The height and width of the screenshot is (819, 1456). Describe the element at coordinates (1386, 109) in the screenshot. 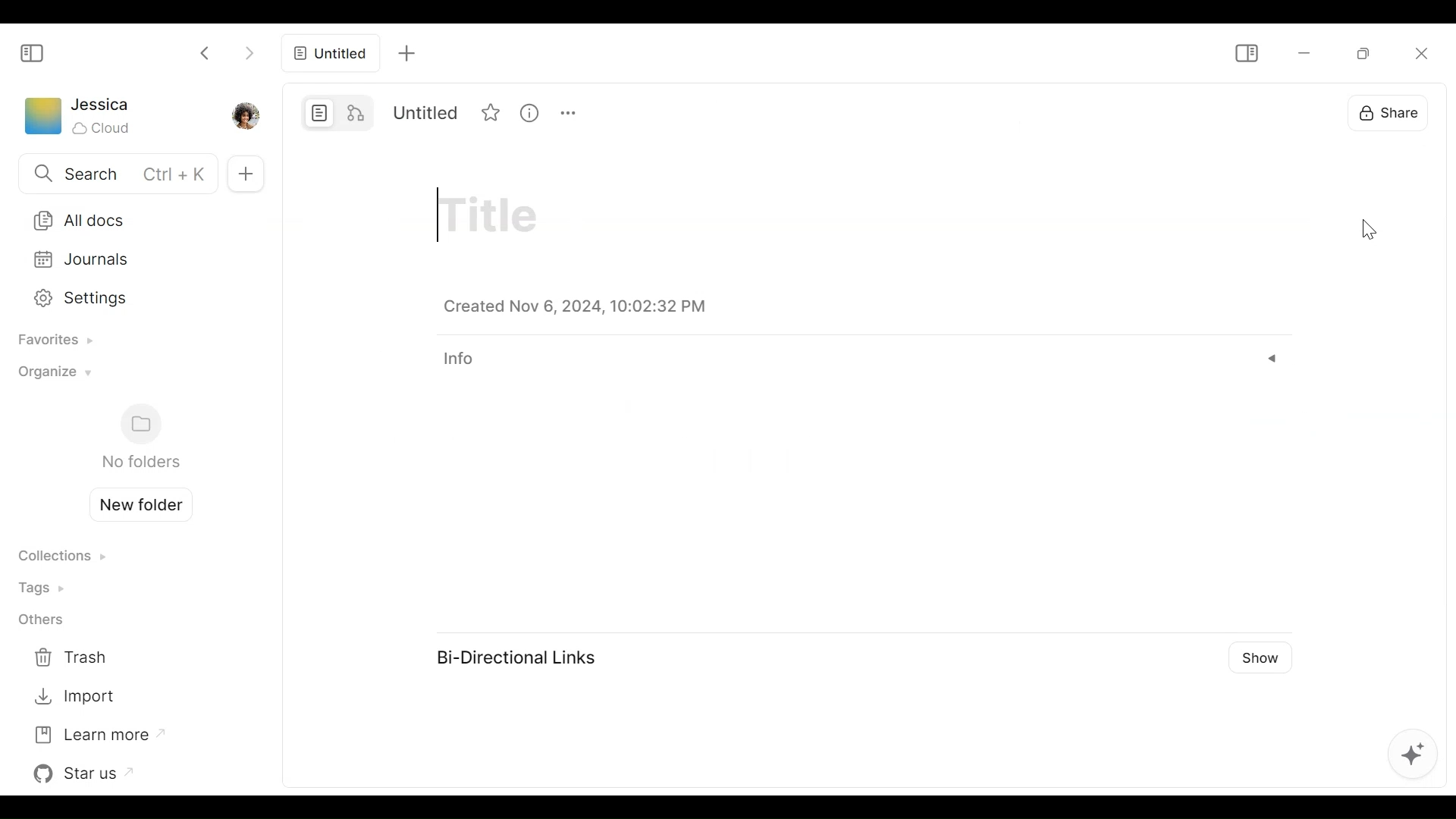

I see `Share` at that location.